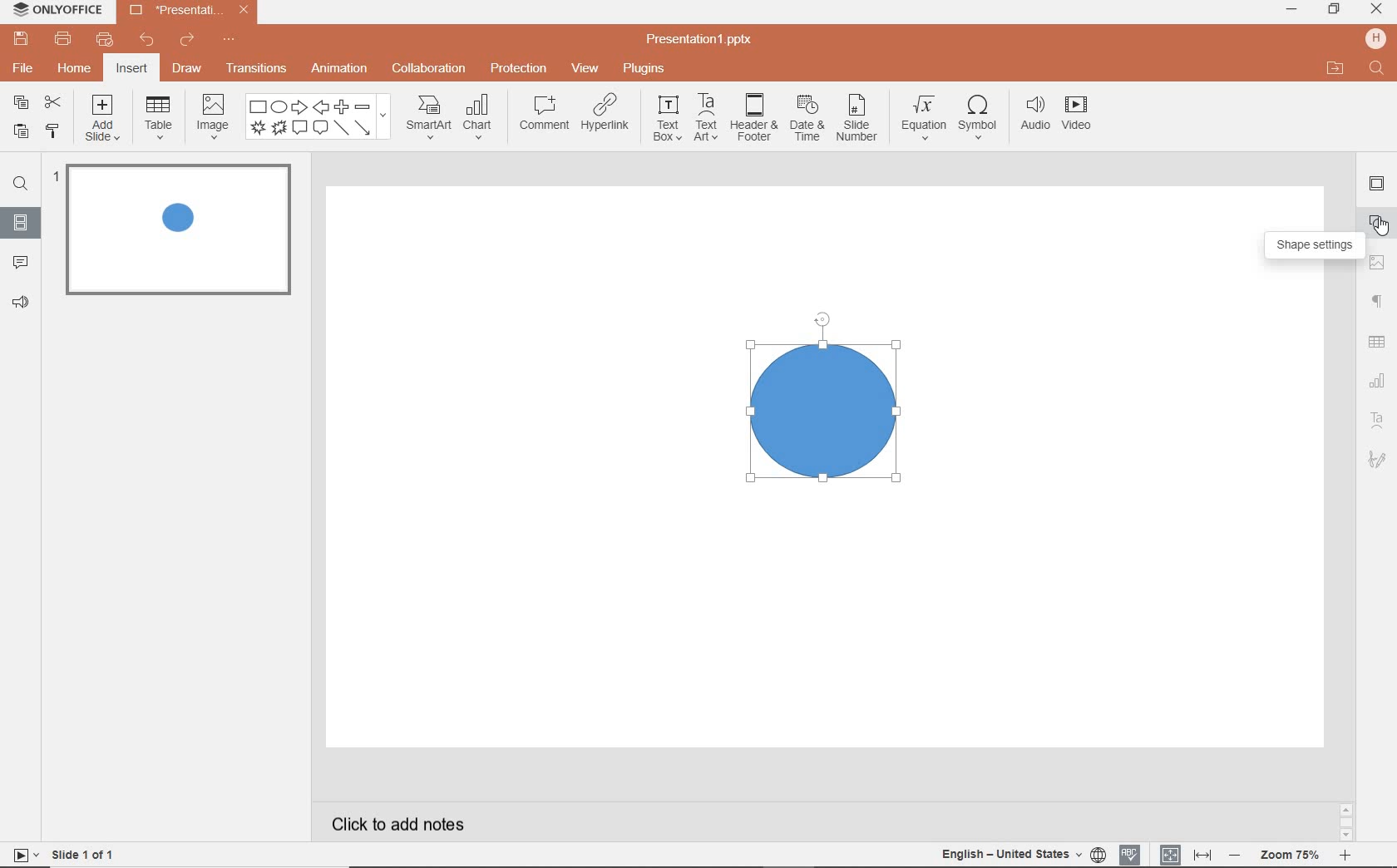 This screenshot has height=868, width=1397. Describe the element at coordinates (22, 67) in the screenshot. I see `file` at that location.